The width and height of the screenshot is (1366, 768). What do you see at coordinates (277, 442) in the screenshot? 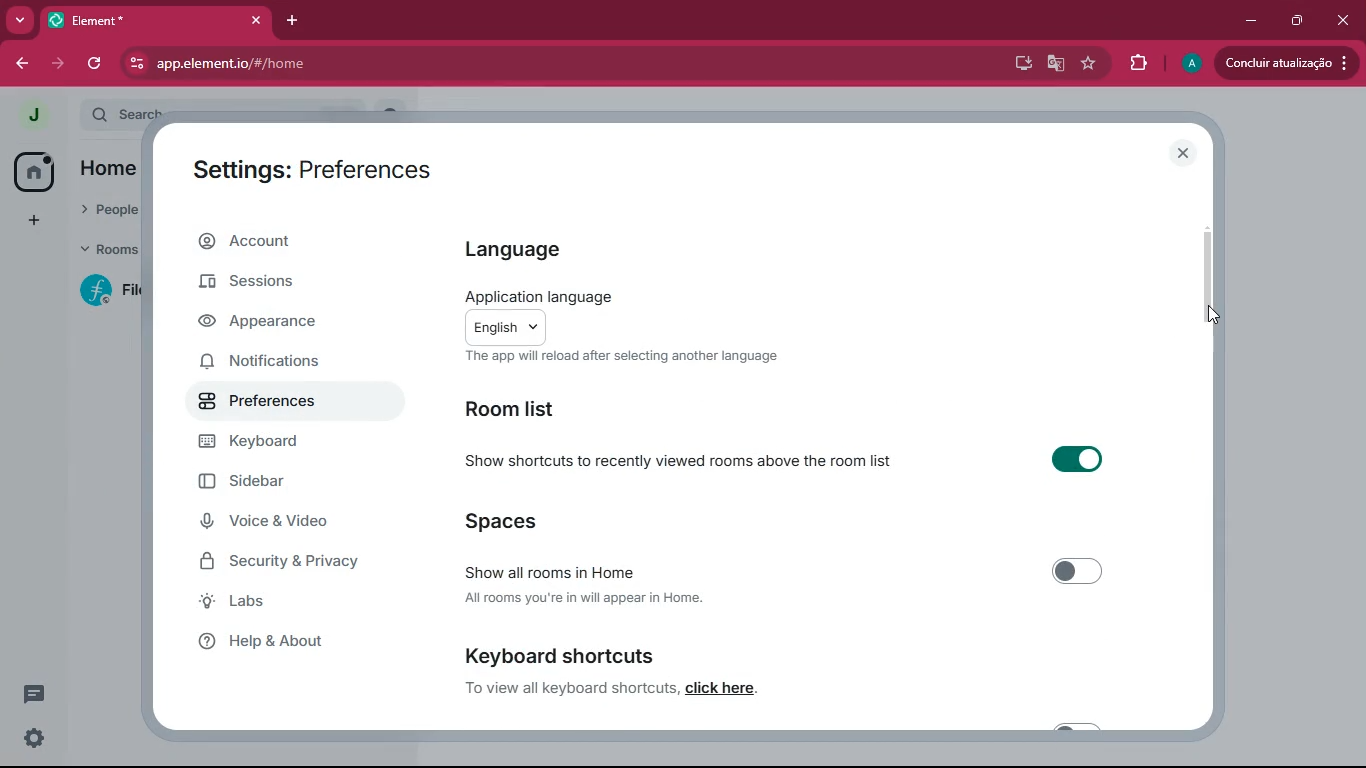
I see `keyboard` at bounding box center [277, 442].